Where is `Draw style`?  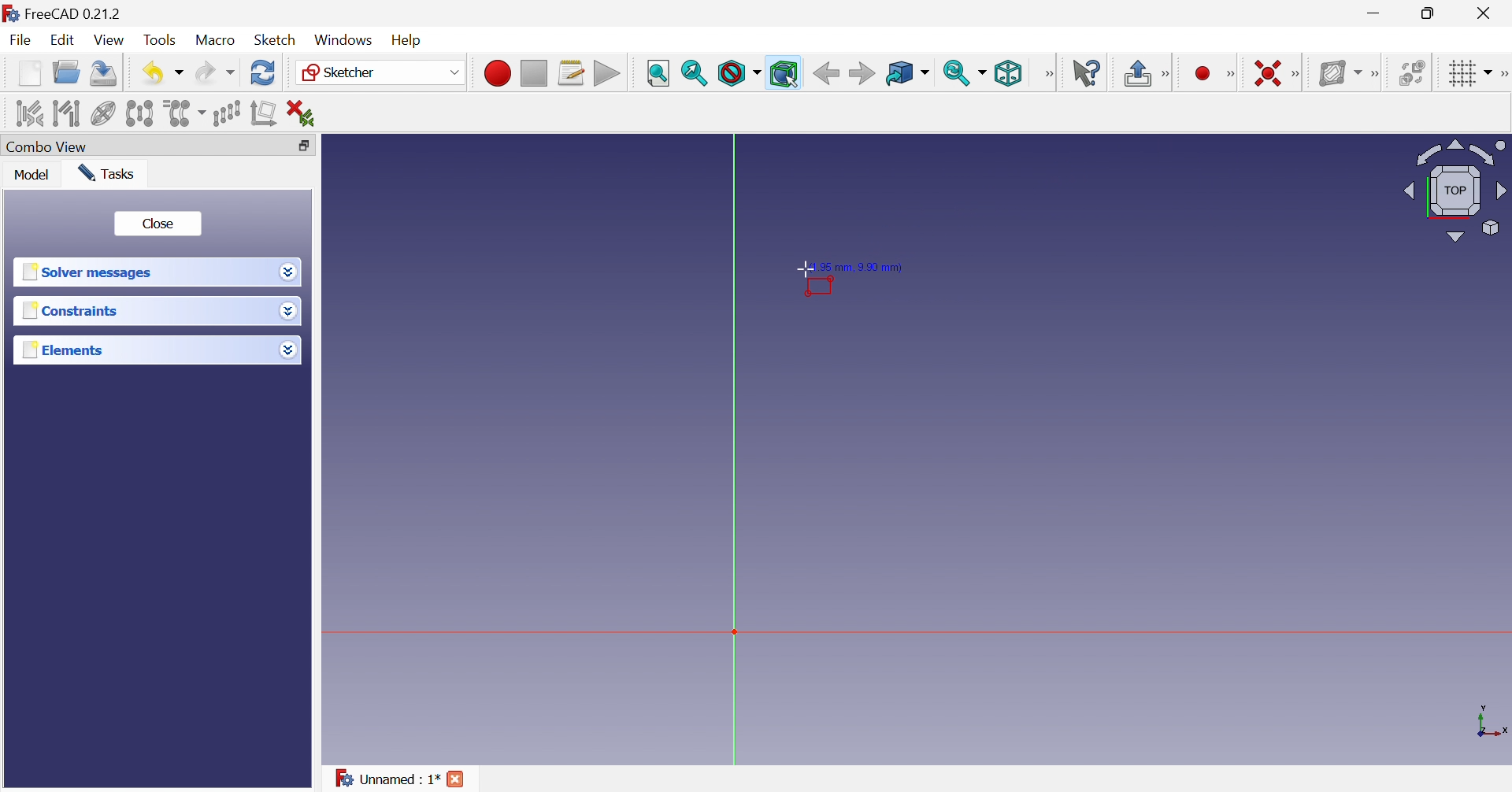 Draw style is located at coordinates (739, 72).